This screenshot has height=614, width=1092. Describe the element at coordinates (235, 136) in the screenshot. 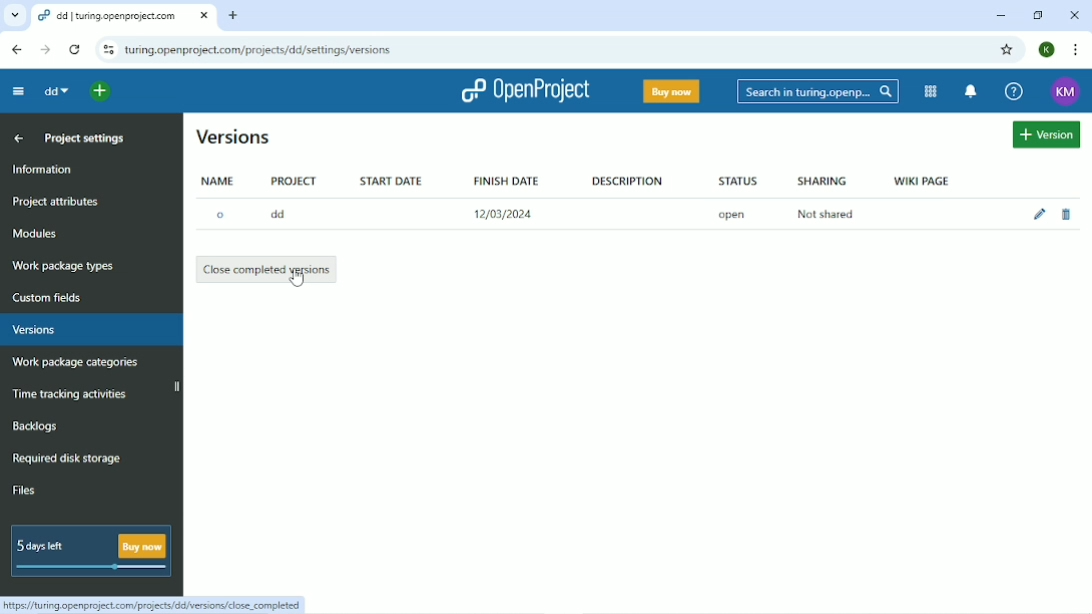

I see `Versions` at that location.